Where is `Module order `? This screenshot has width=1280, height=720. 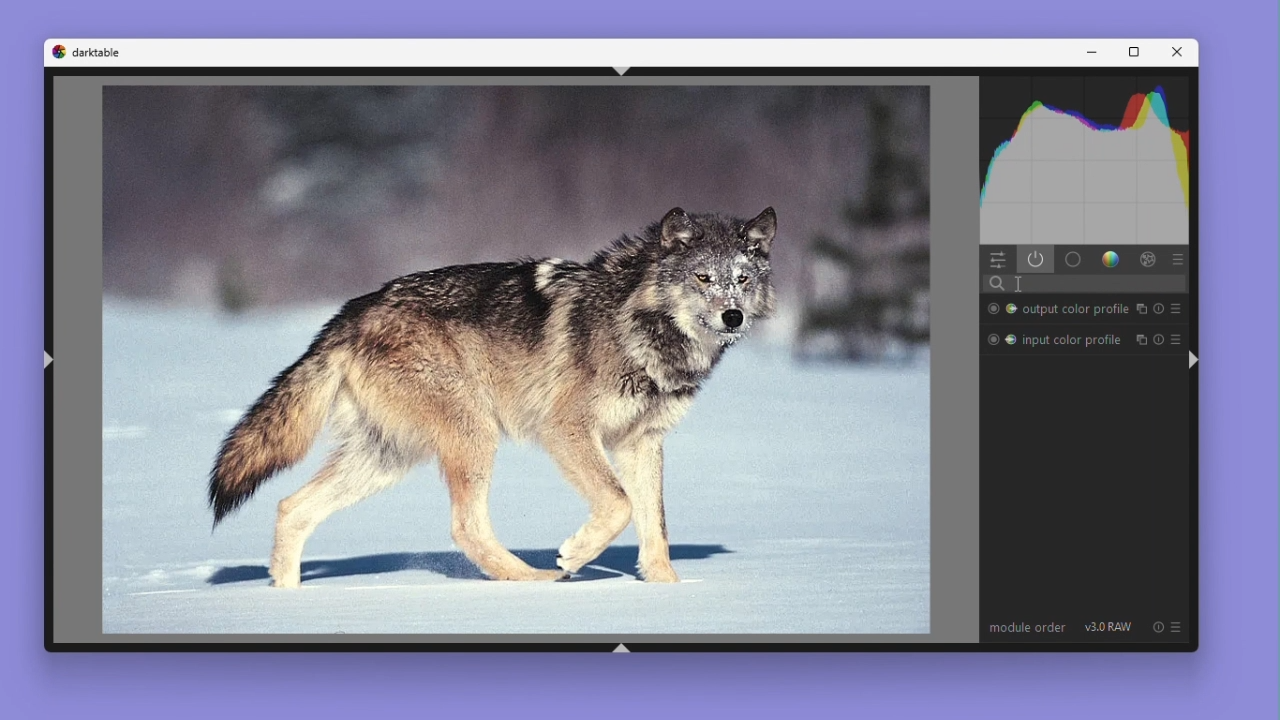 Module order  is located at coordinates (1027, 629).